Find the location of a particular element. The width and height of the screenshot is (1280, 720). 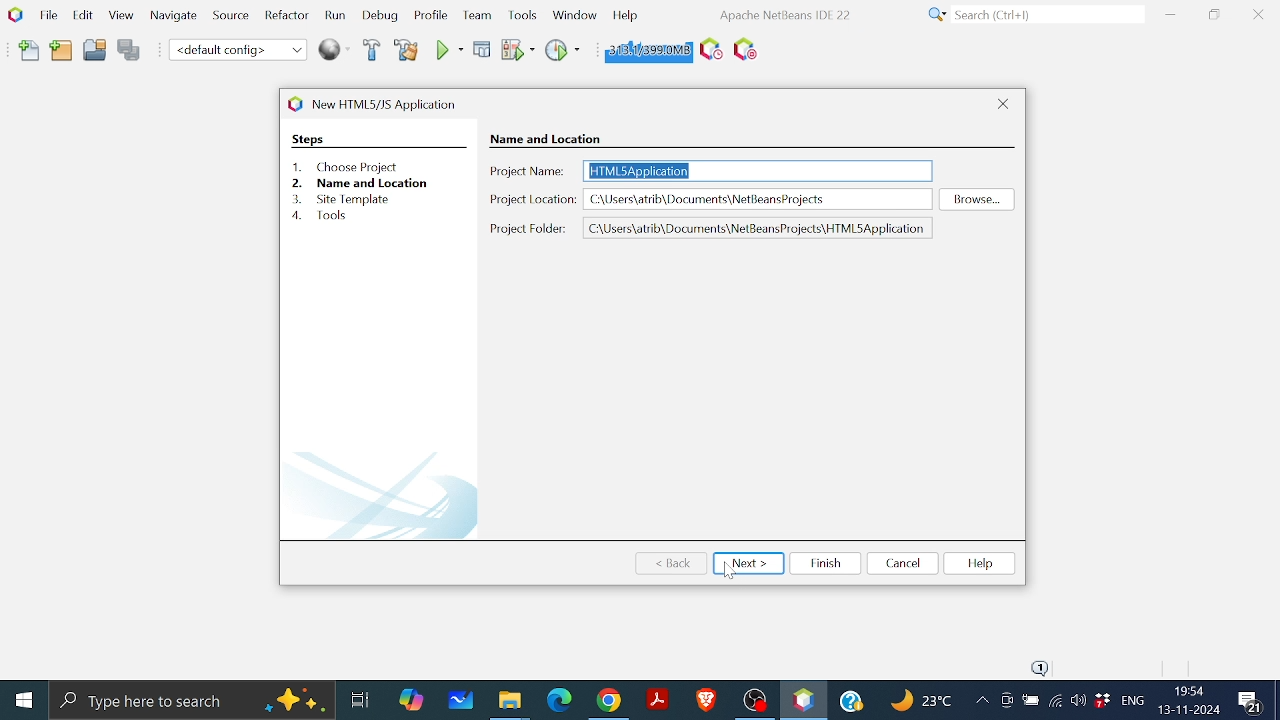

2. Name and location is located at coordinates (378, 182).